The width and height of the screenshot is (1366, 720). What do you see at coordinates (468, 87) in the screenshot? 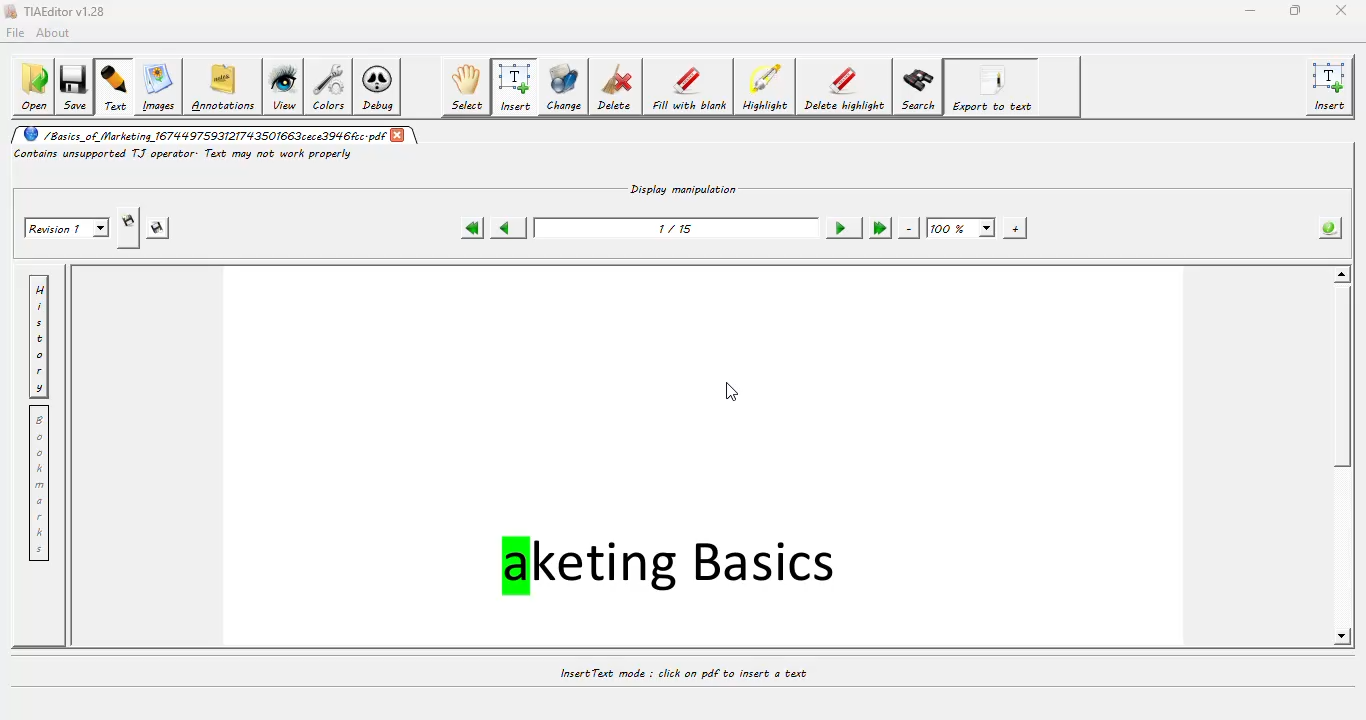
I see `select` at bounding box center [468, 87].